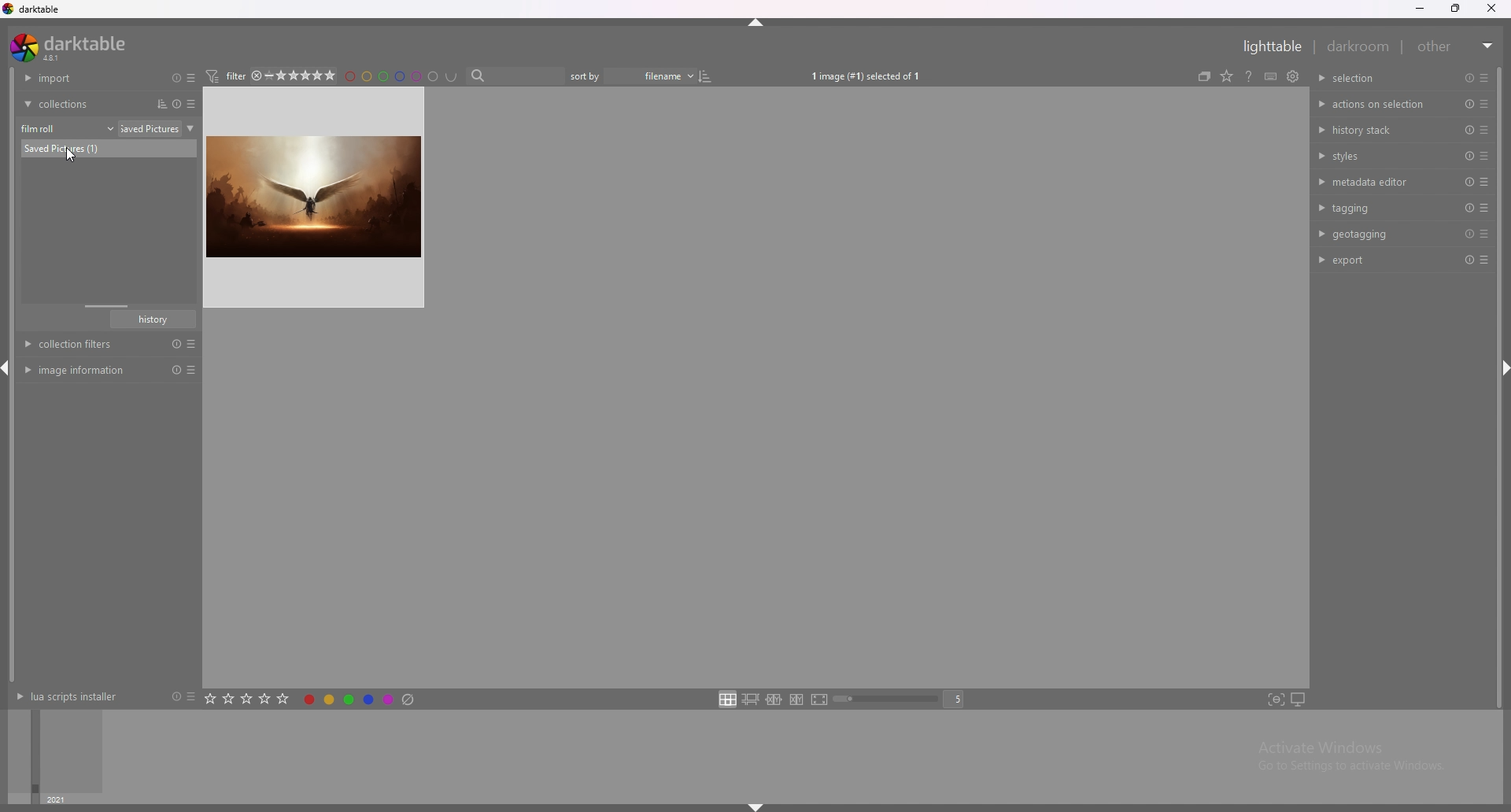  Describe the element at coordinates (406, 76) in the screenshot. I see `filter by color label` at that location.